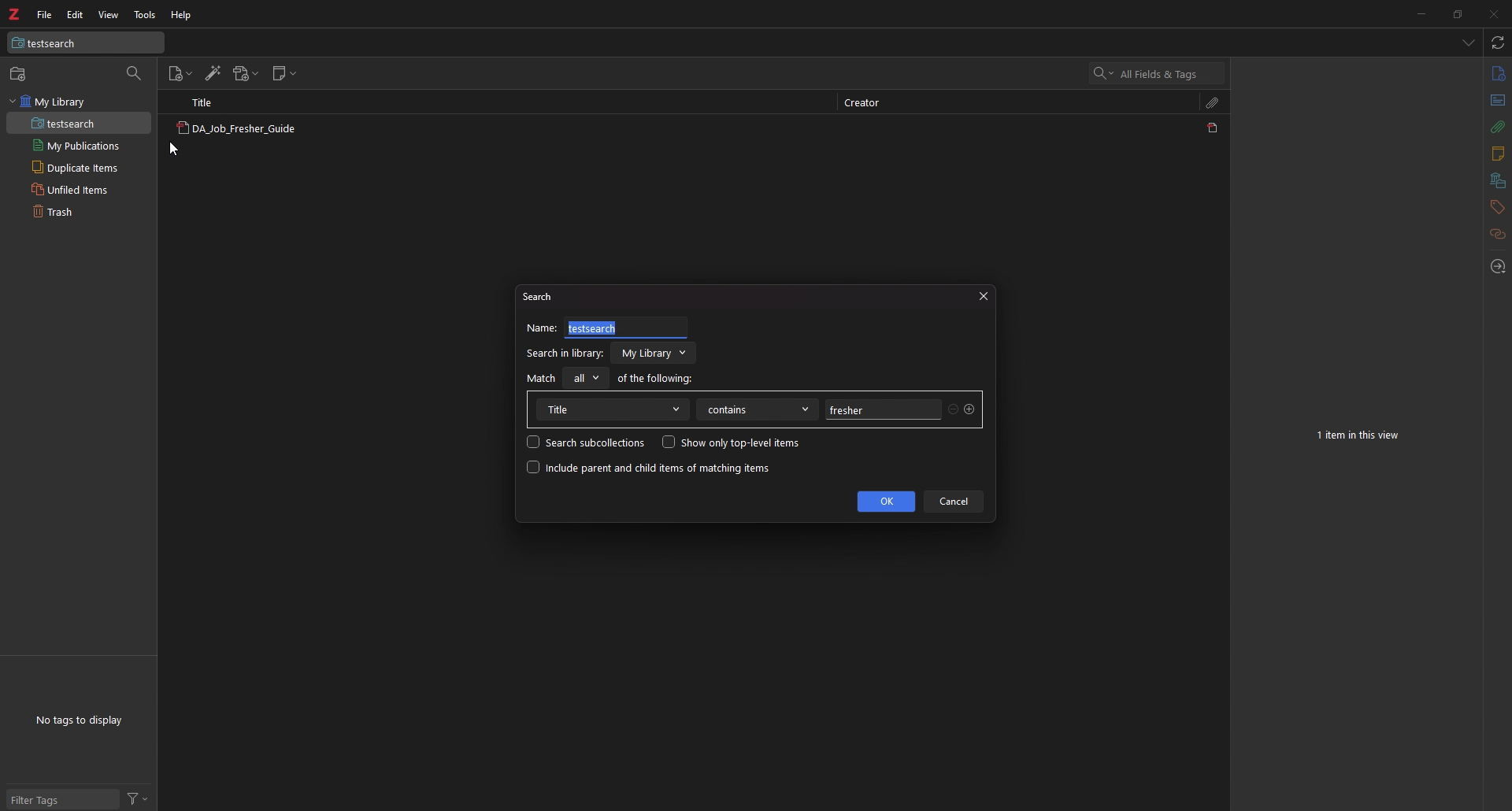 The image size is (1512, 811). What do you see at coordinates (970, 409) in the screenshot?
I see `add keyword` at bounding box center [970, 409].